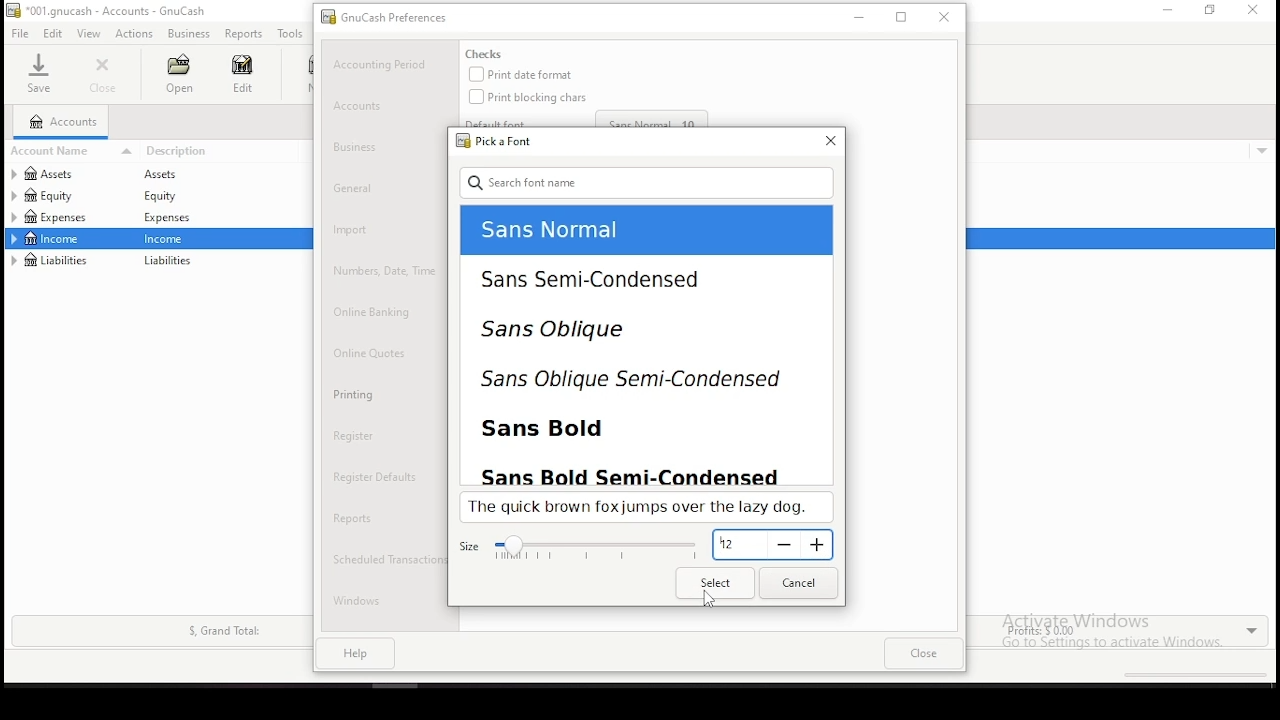 Image resolution: width=1280 pixels, height=720 pixels. Describe the element at coordinates (168, 262) in the screenshot. I see `liabilities` at that location.